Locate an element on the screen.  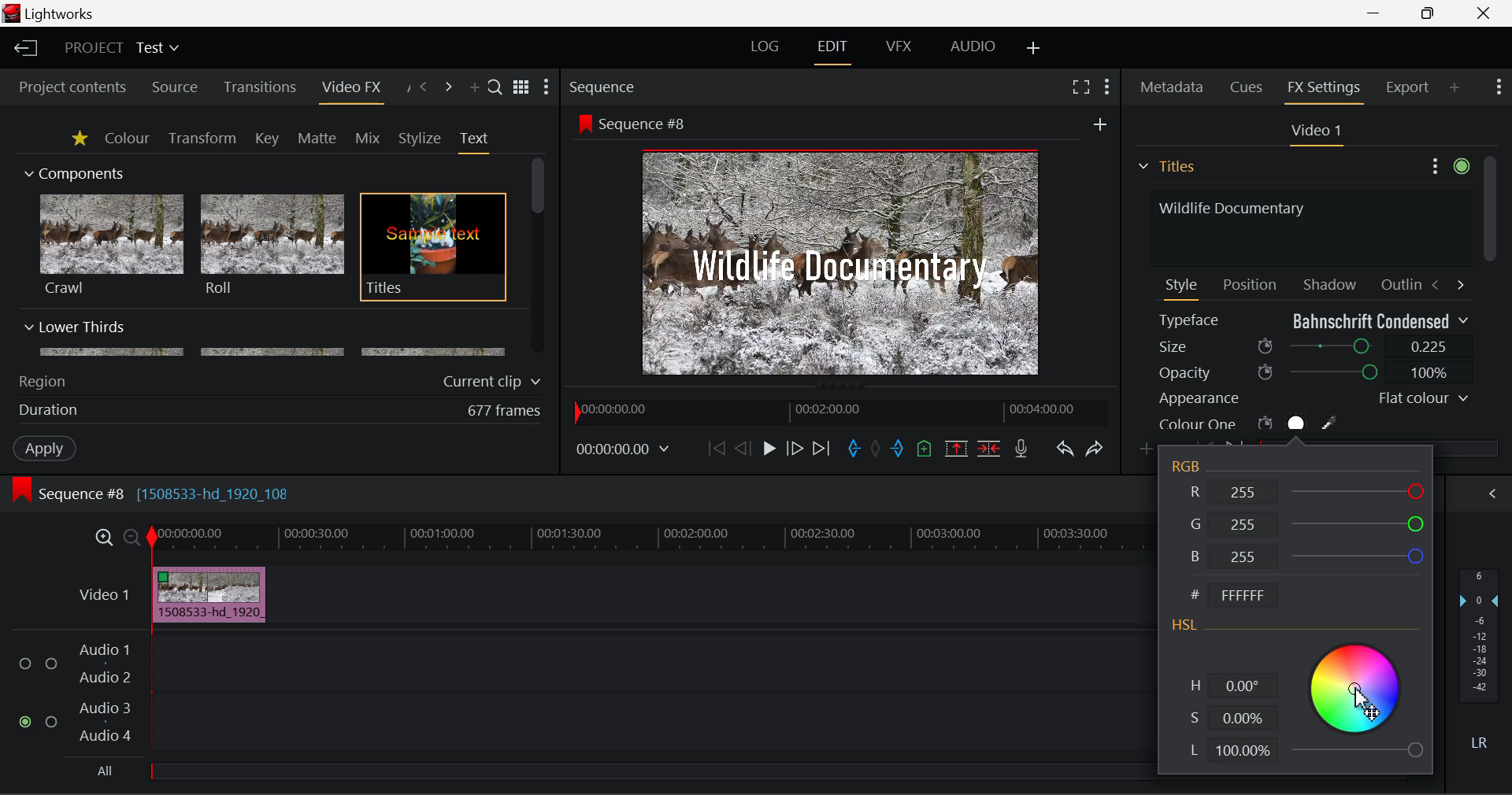
Full Screen is located at coordinates (1081, 86).